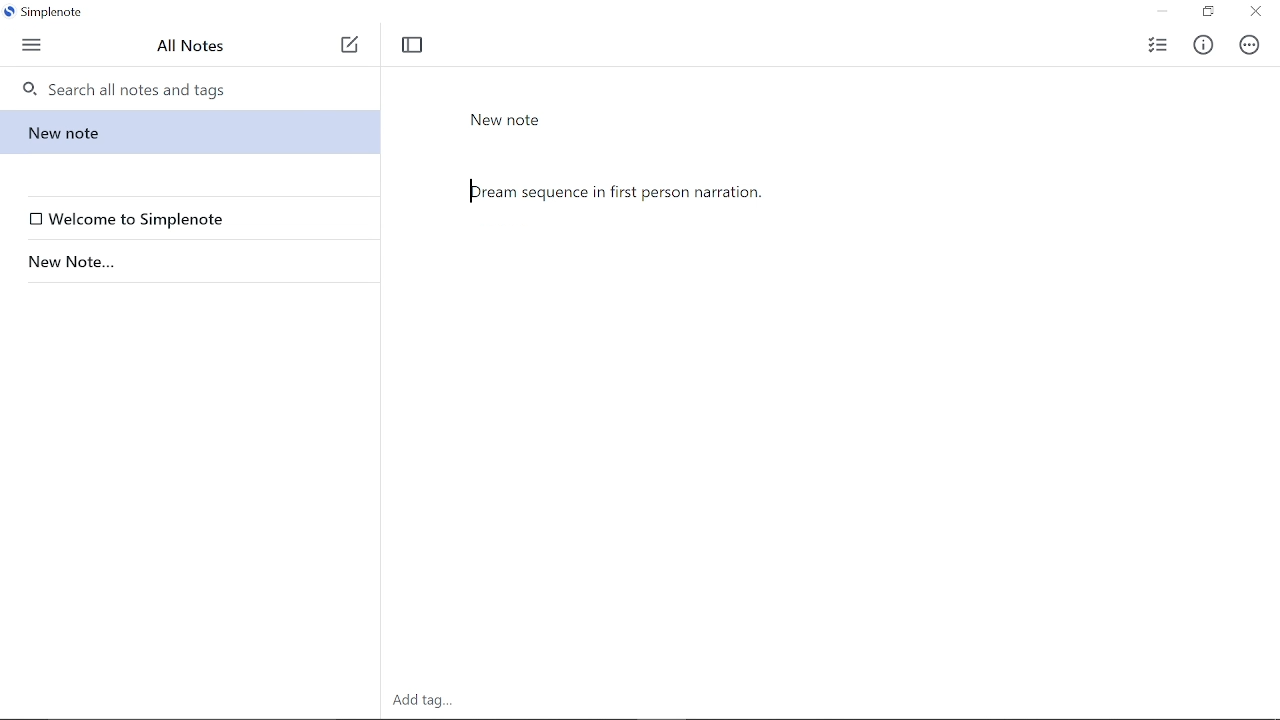 This screenshot has width=1280, height=720. I want to click on Info, so click(1208, 42).